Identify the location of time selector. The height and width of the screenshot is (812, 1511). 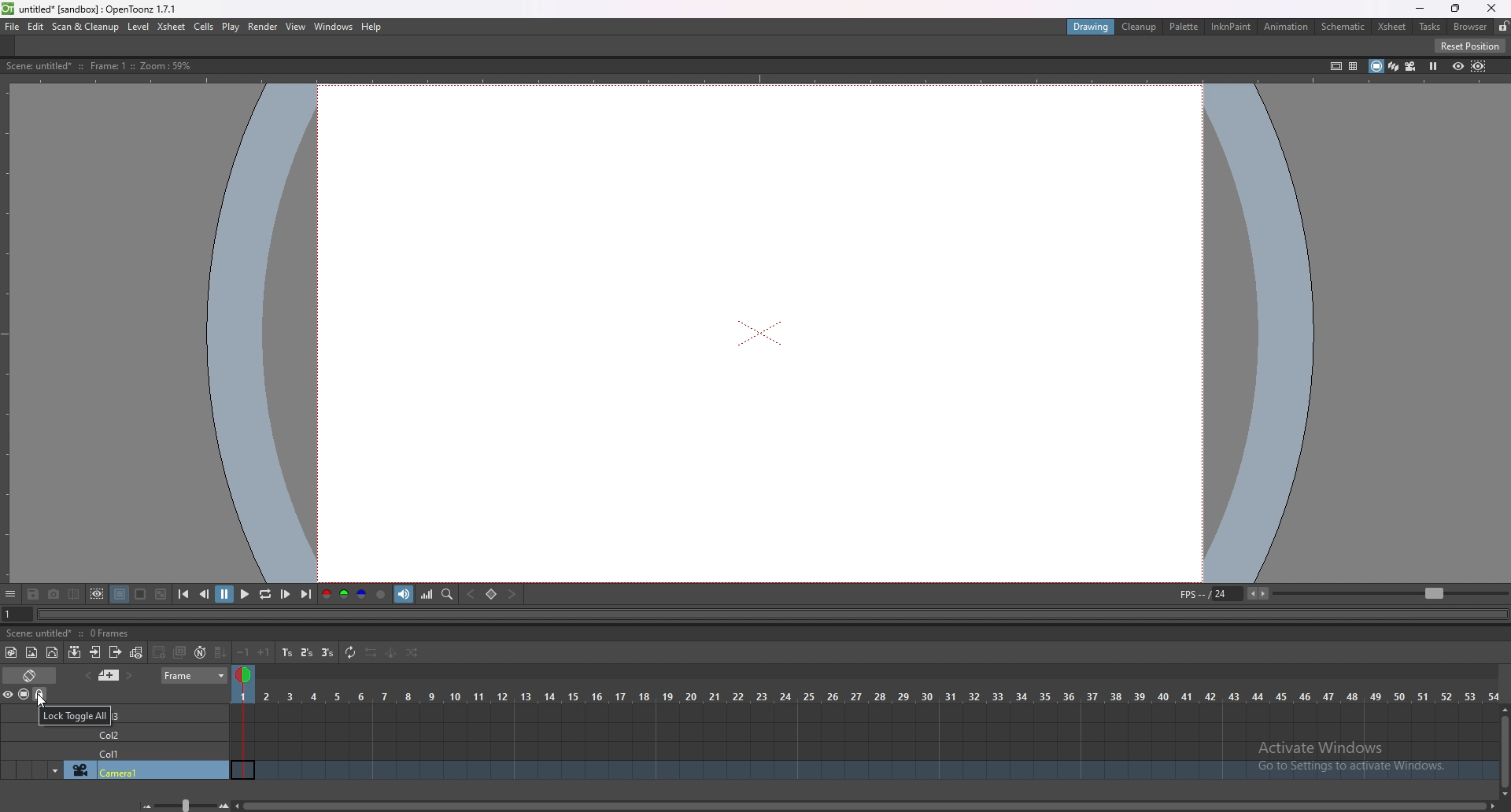
(246, 677).